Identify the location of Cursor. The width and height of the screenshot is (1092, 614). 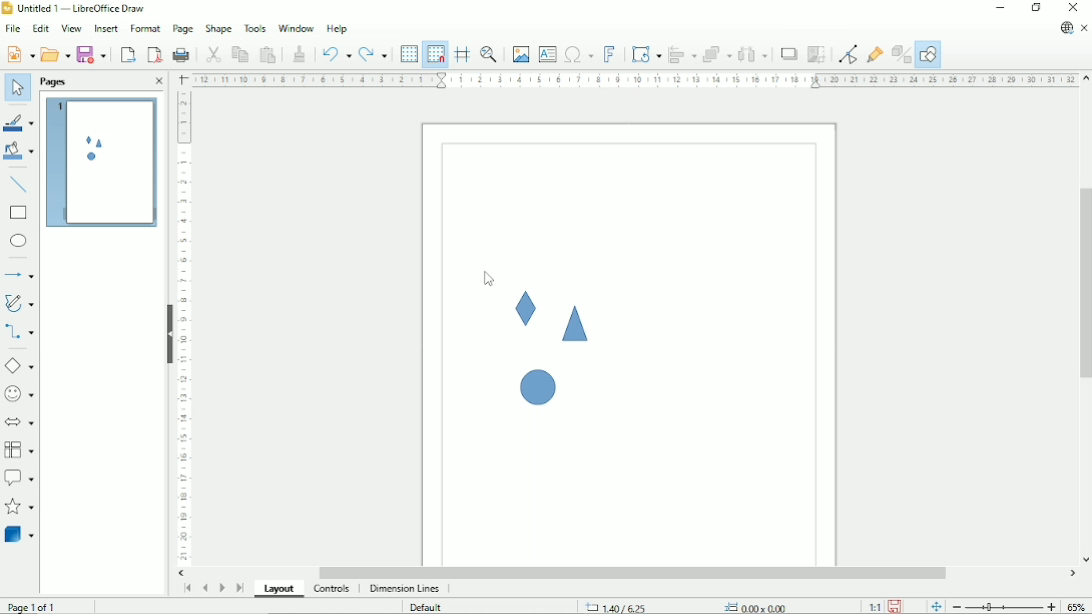
(490, 278).